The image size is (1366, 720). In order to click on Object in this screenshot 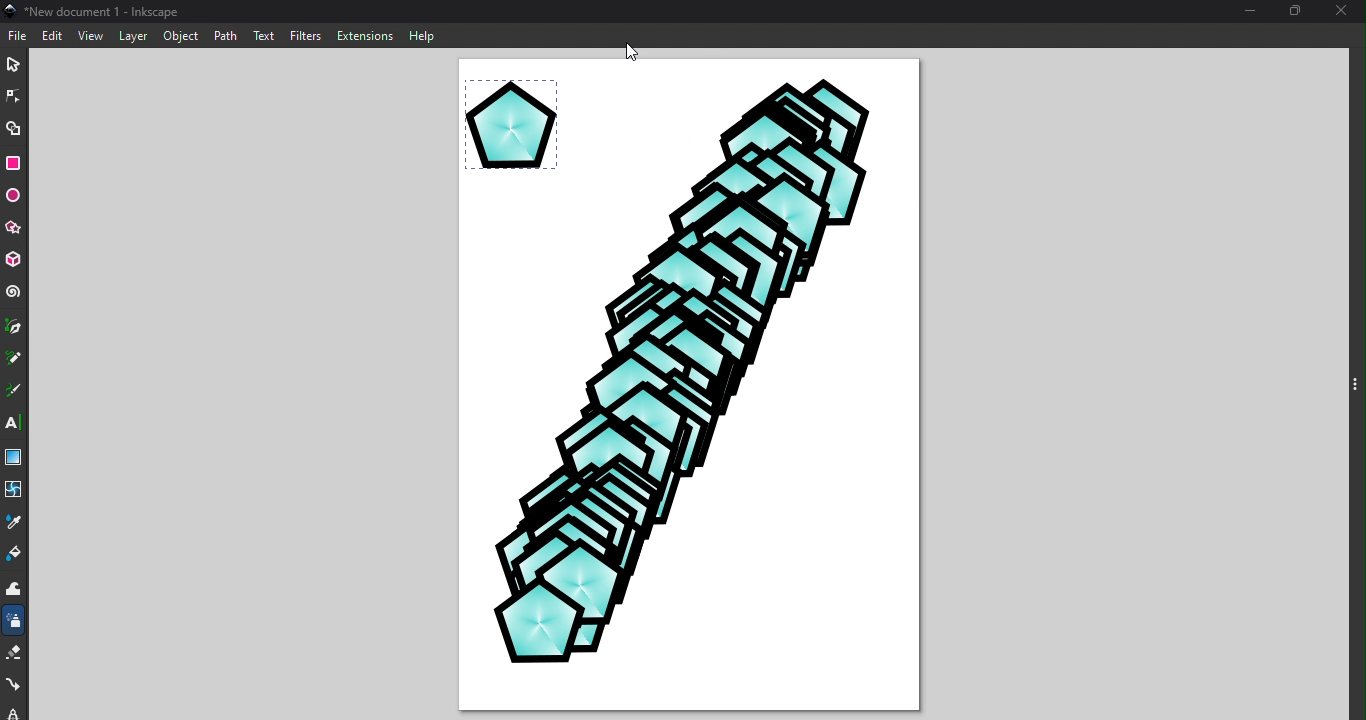, I will do `click(181, 38)`.